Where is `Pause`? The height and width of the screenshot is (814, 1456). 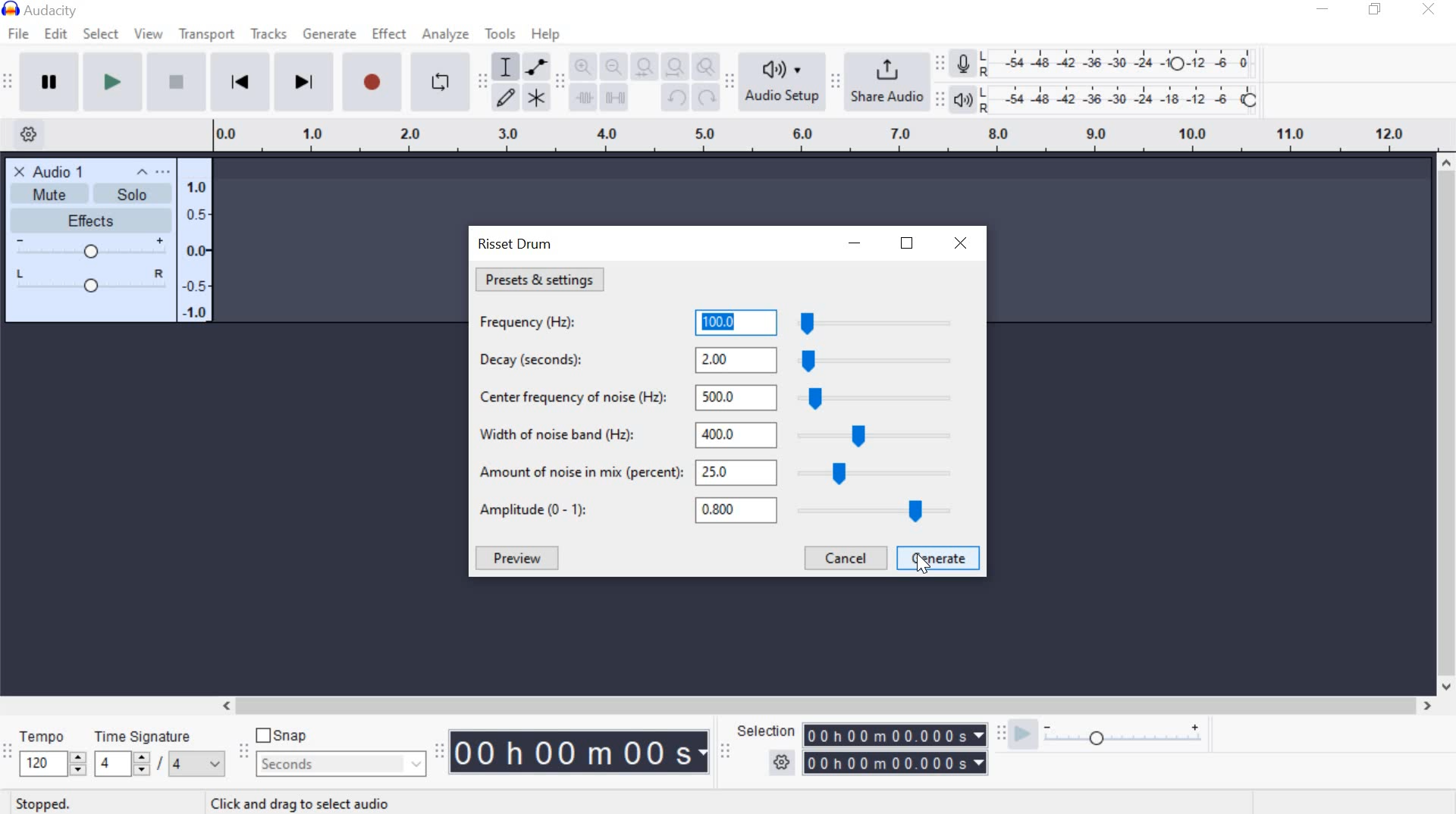
Pause is located at coordinates (49, 80).